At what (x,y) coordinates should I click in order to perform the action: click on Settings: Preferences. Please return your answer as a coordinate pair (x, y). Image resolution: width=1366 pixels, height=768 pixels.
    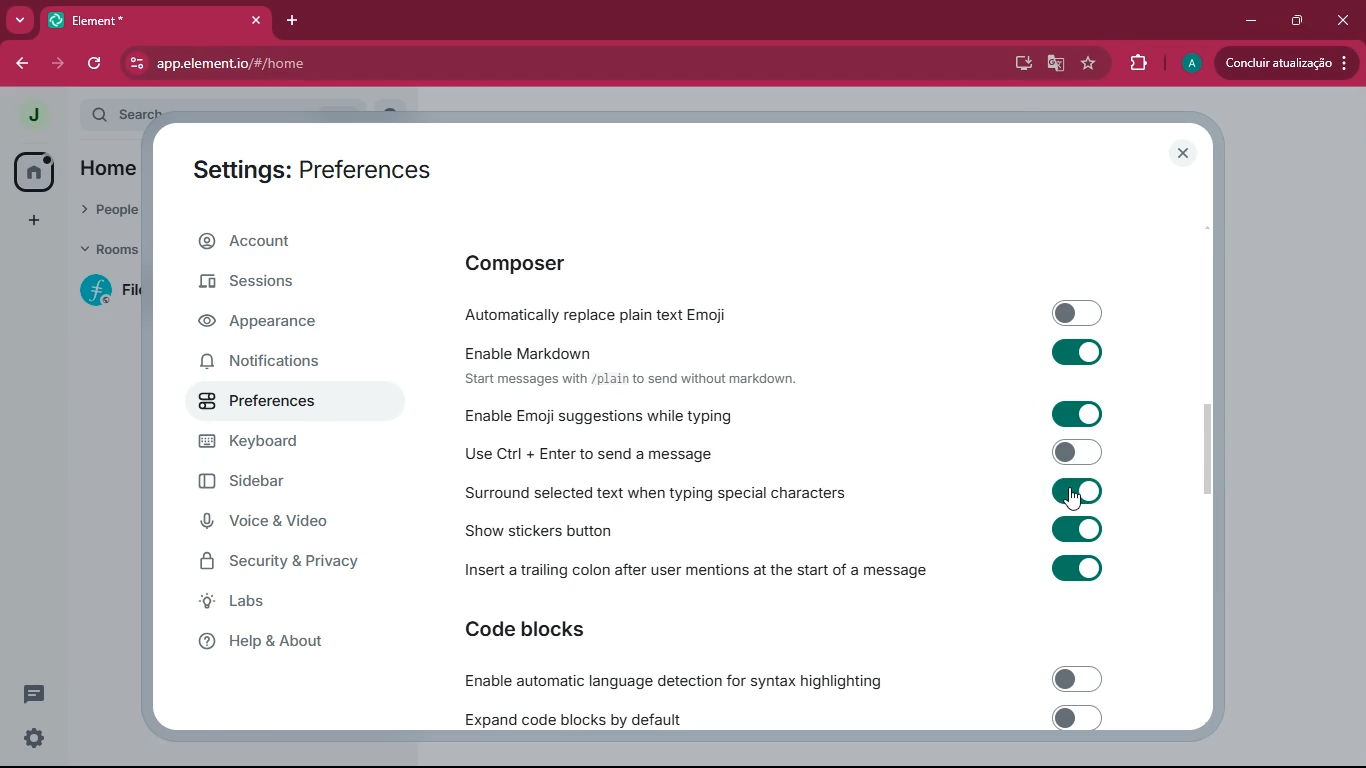
    Looking at the image, I should click on (311, 166).